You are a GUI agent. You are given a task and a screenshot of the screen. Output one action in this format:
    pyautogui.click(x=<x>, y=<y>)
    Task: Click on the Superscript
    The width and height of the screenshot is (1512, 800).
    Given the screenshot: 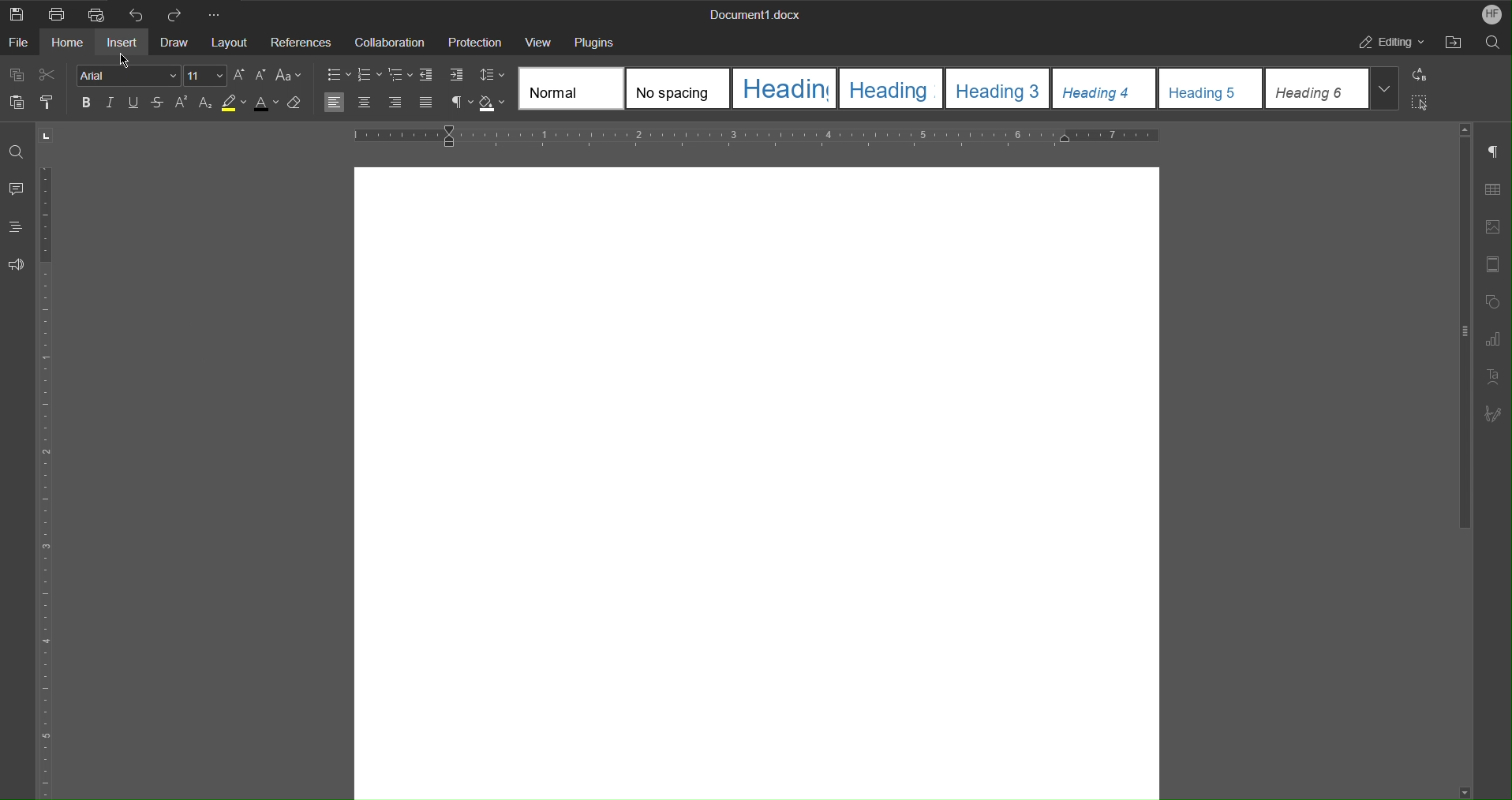 What is the action you would take?
    pyautogui.click(x=182, y=103)
    